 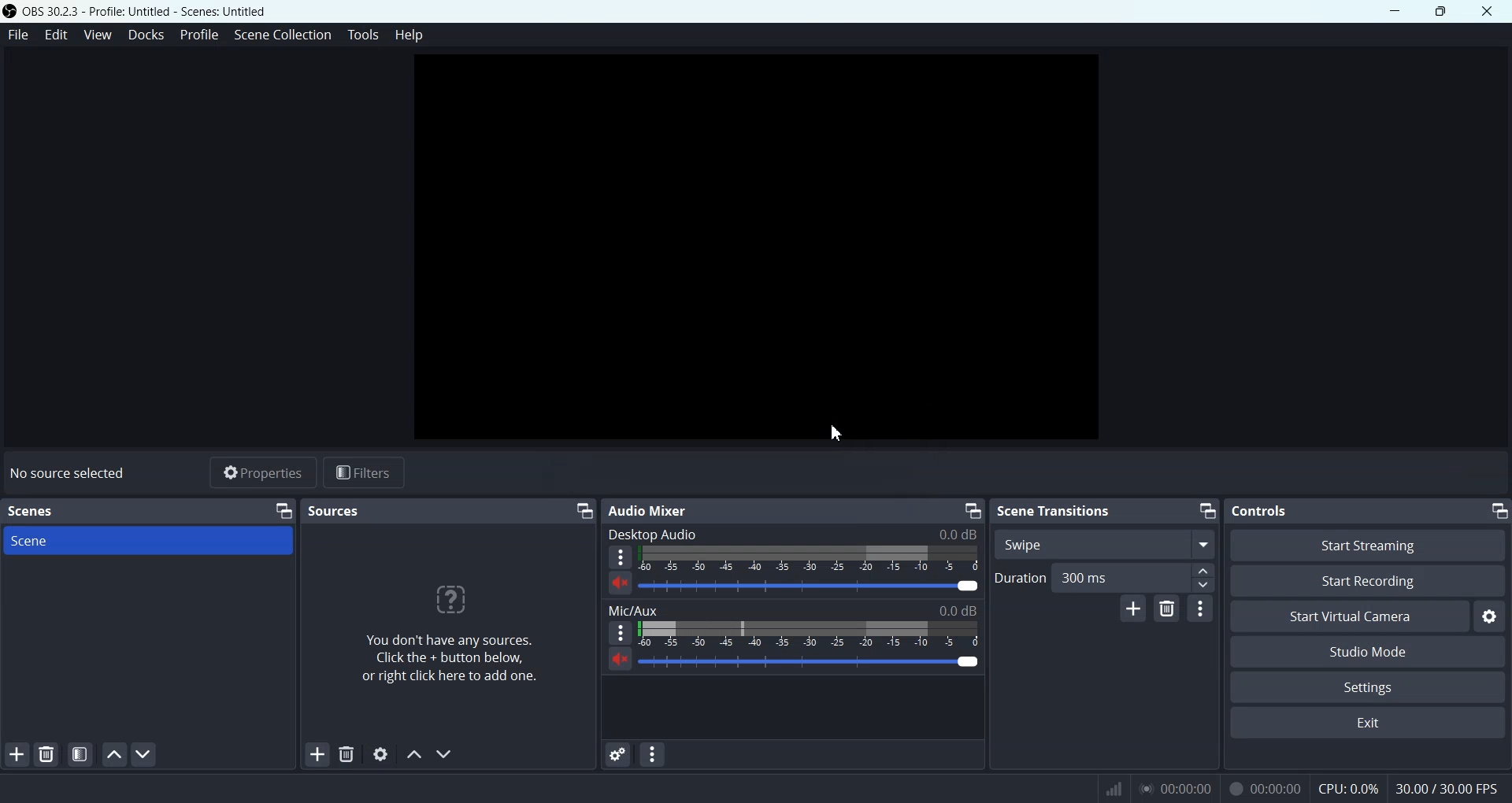 What do you see at coordinates (1168, 609) in the screenshot?
I see `Remove configurable transition` at bounding box center [1168, 609].